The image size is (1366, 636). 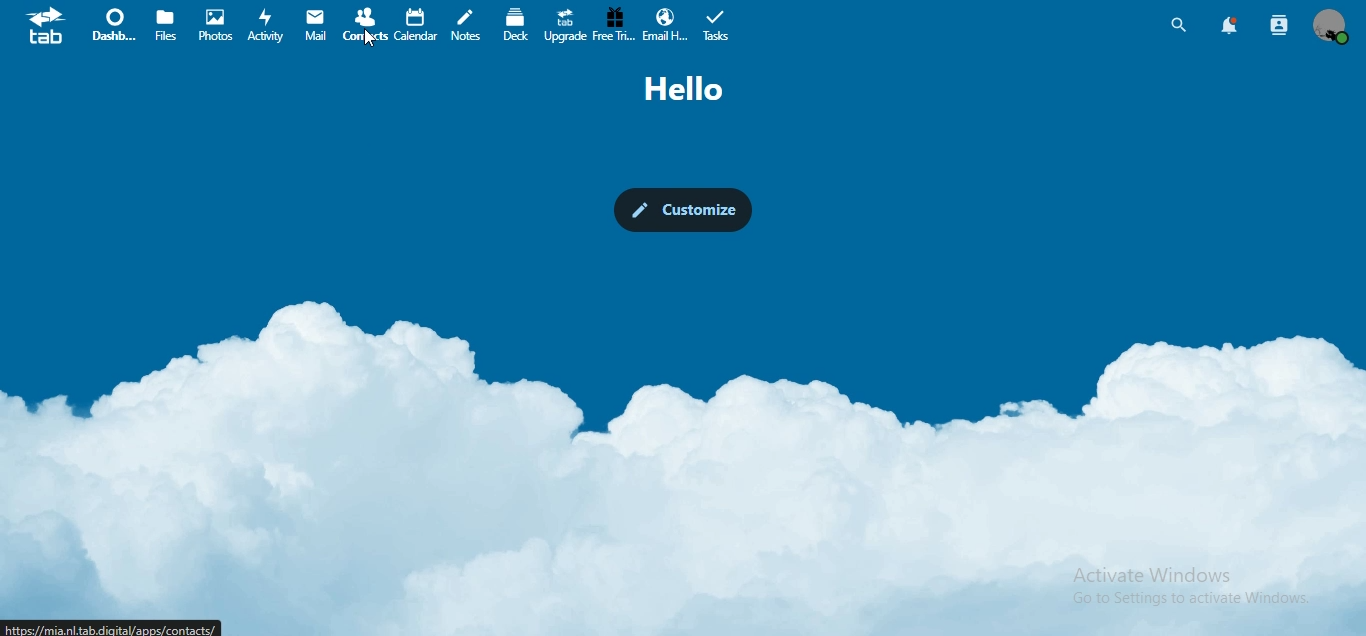 I want to click on deck, so click(x=518, y=26).